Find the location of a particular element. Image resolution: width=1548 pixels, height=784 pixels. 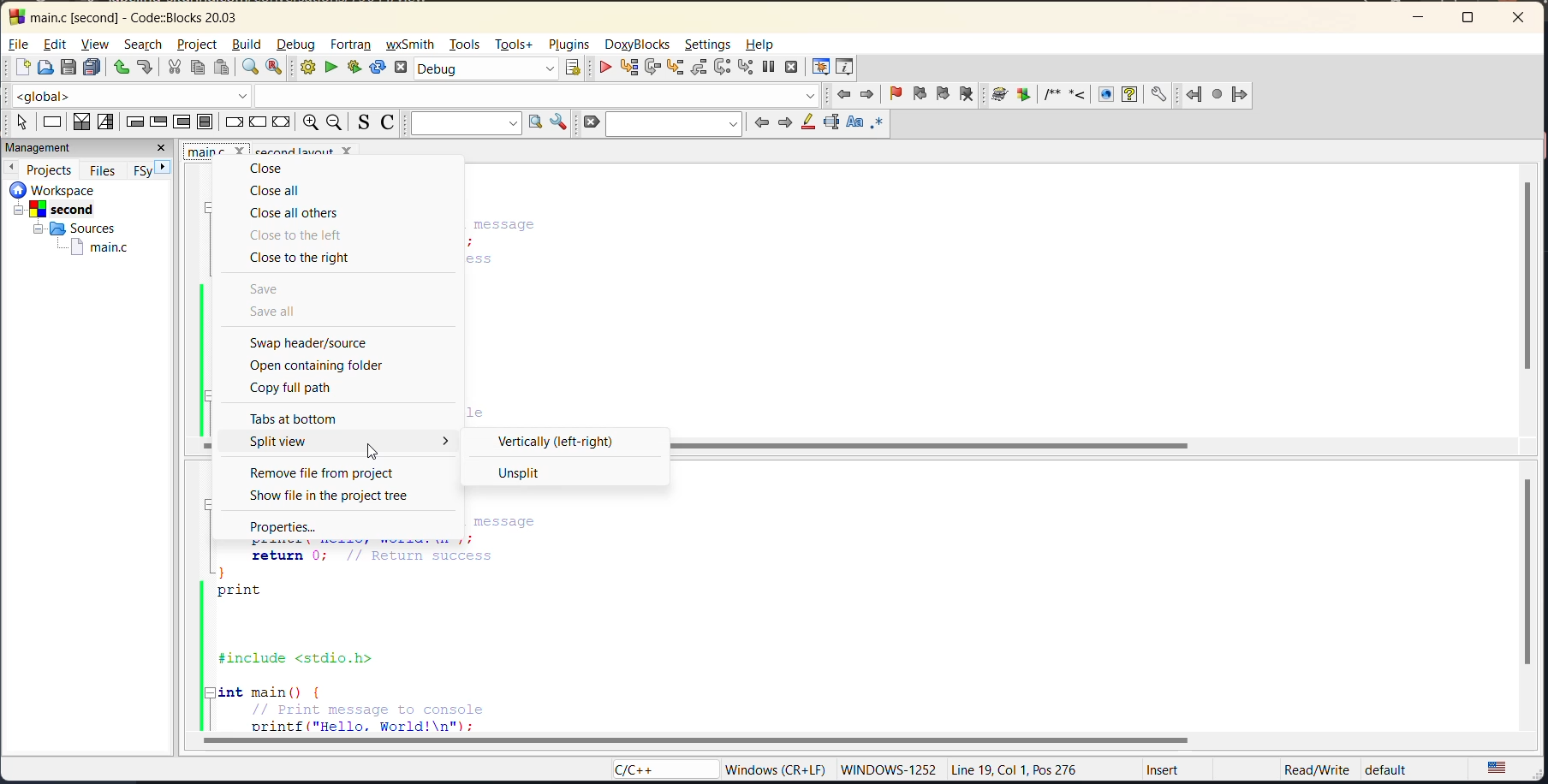

zoom in is located at coordinates (310, 121).